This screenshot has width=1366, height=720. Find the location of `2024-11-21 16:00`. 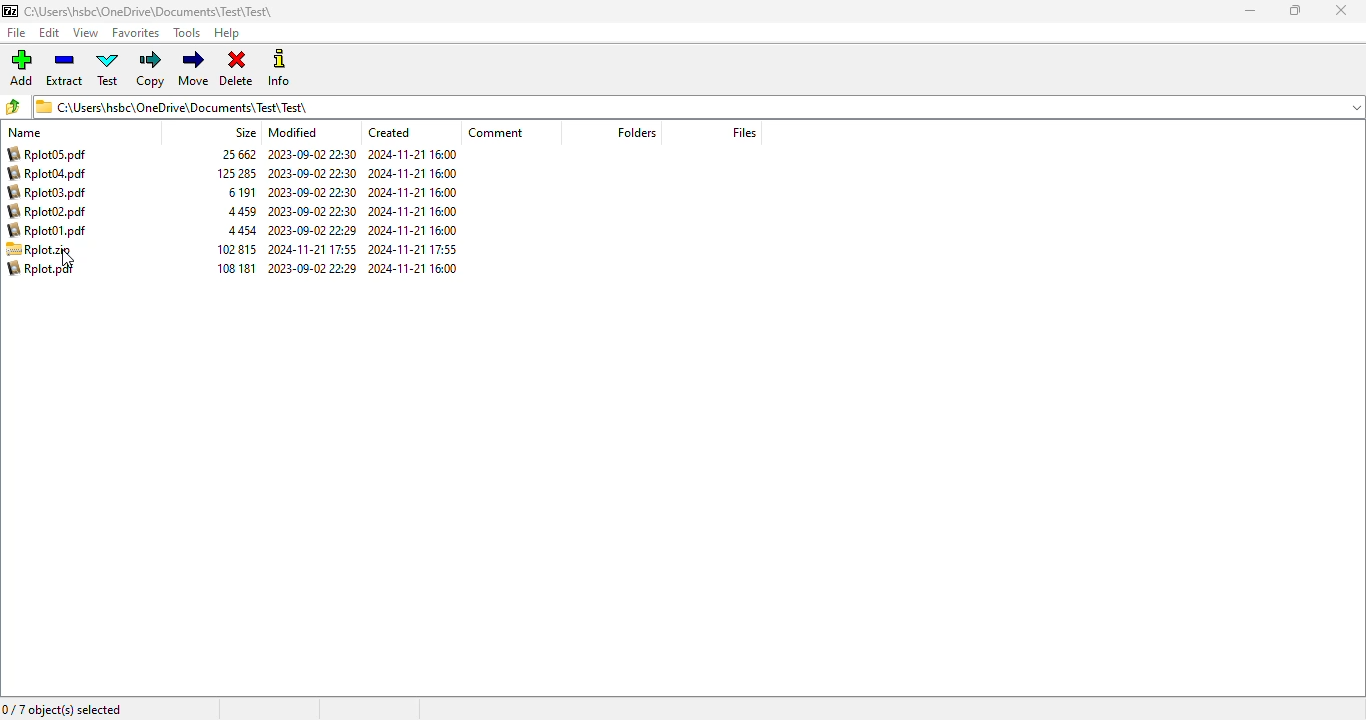

2024-11-21 16:00 is located at coordinates (413, 154).